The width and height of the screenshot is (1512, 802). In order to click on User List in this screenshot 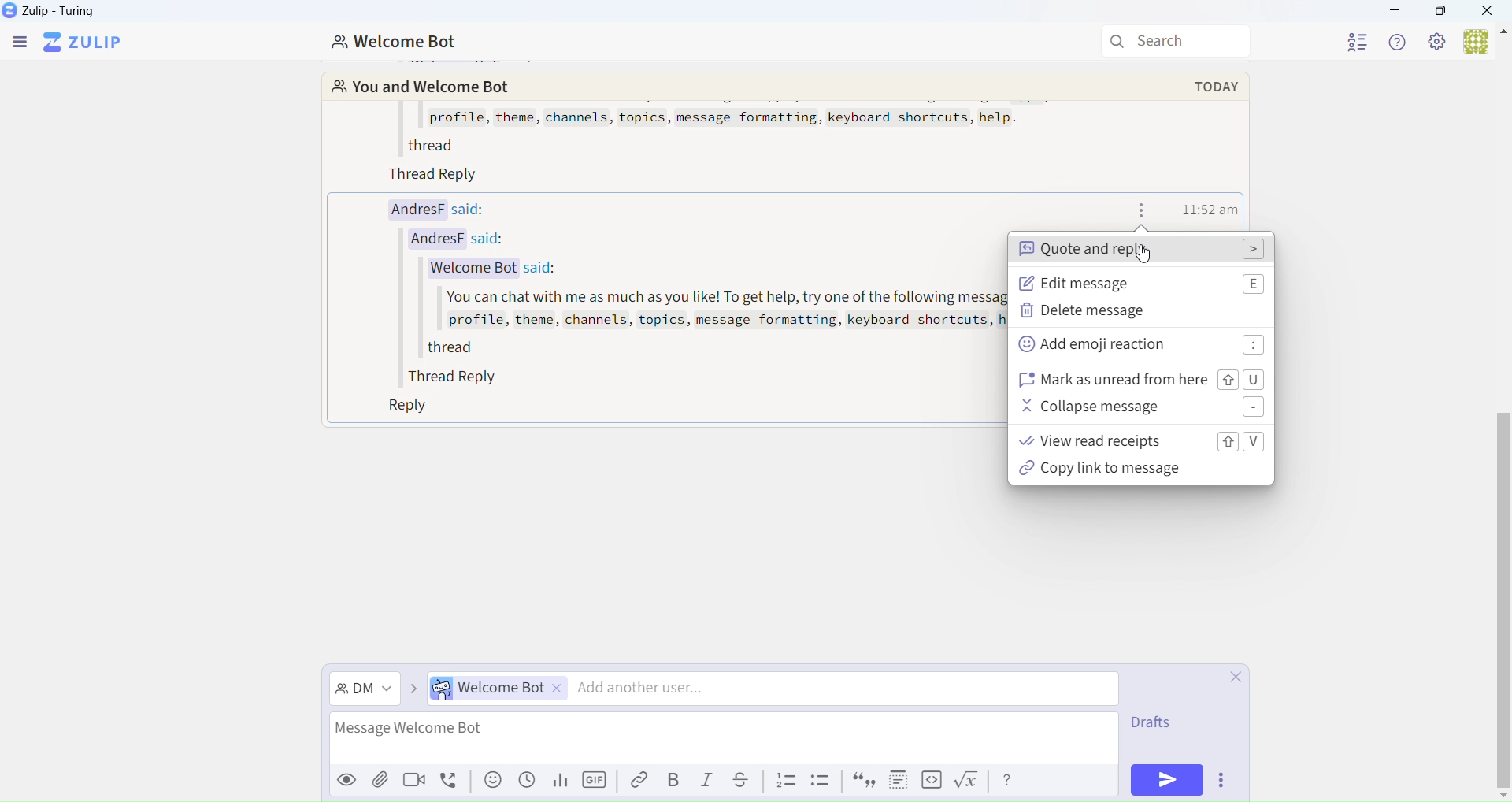, I will do `click(1362, 43)`.